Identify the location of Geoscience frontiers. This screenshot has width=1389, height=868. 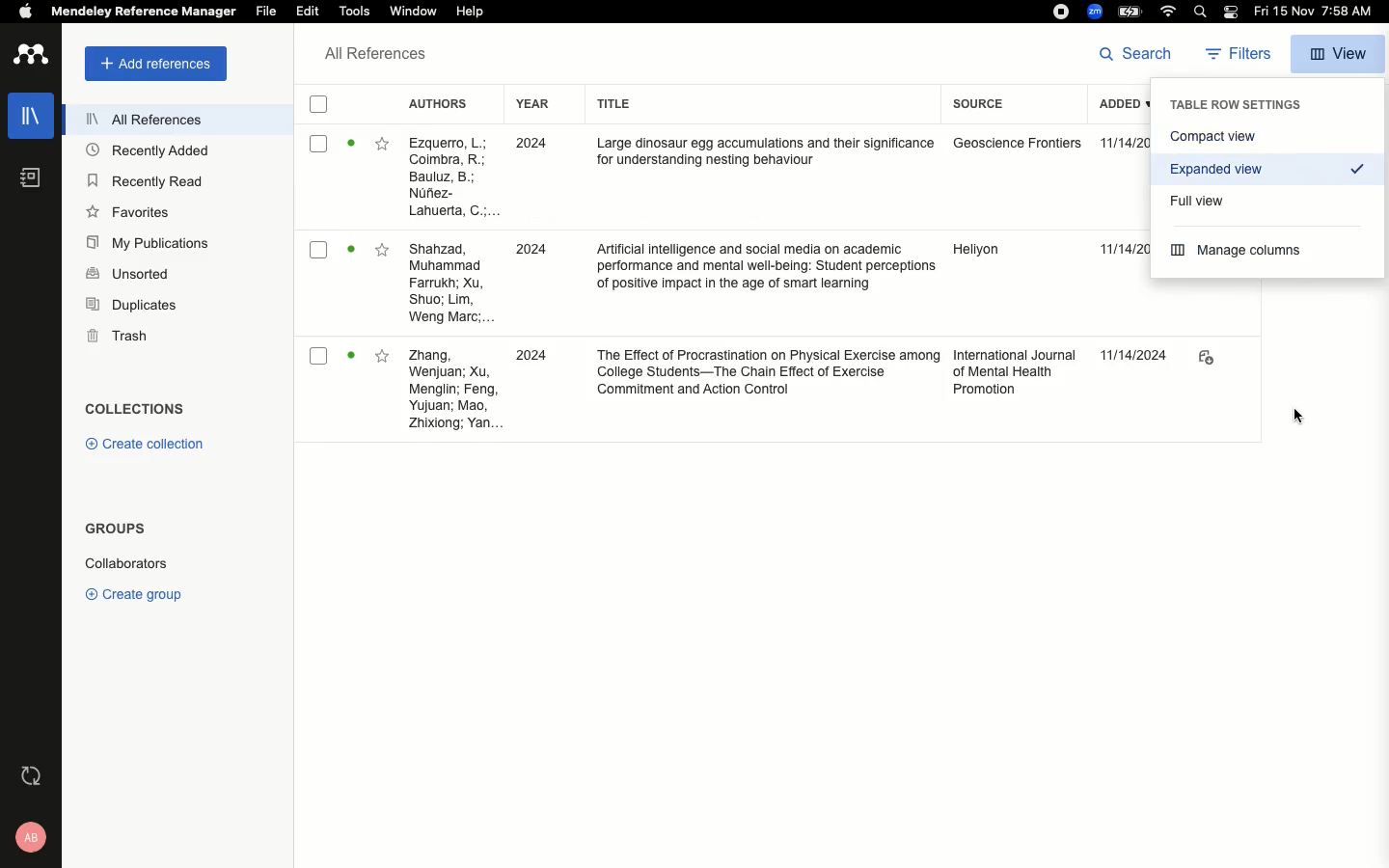
(1025, 149).